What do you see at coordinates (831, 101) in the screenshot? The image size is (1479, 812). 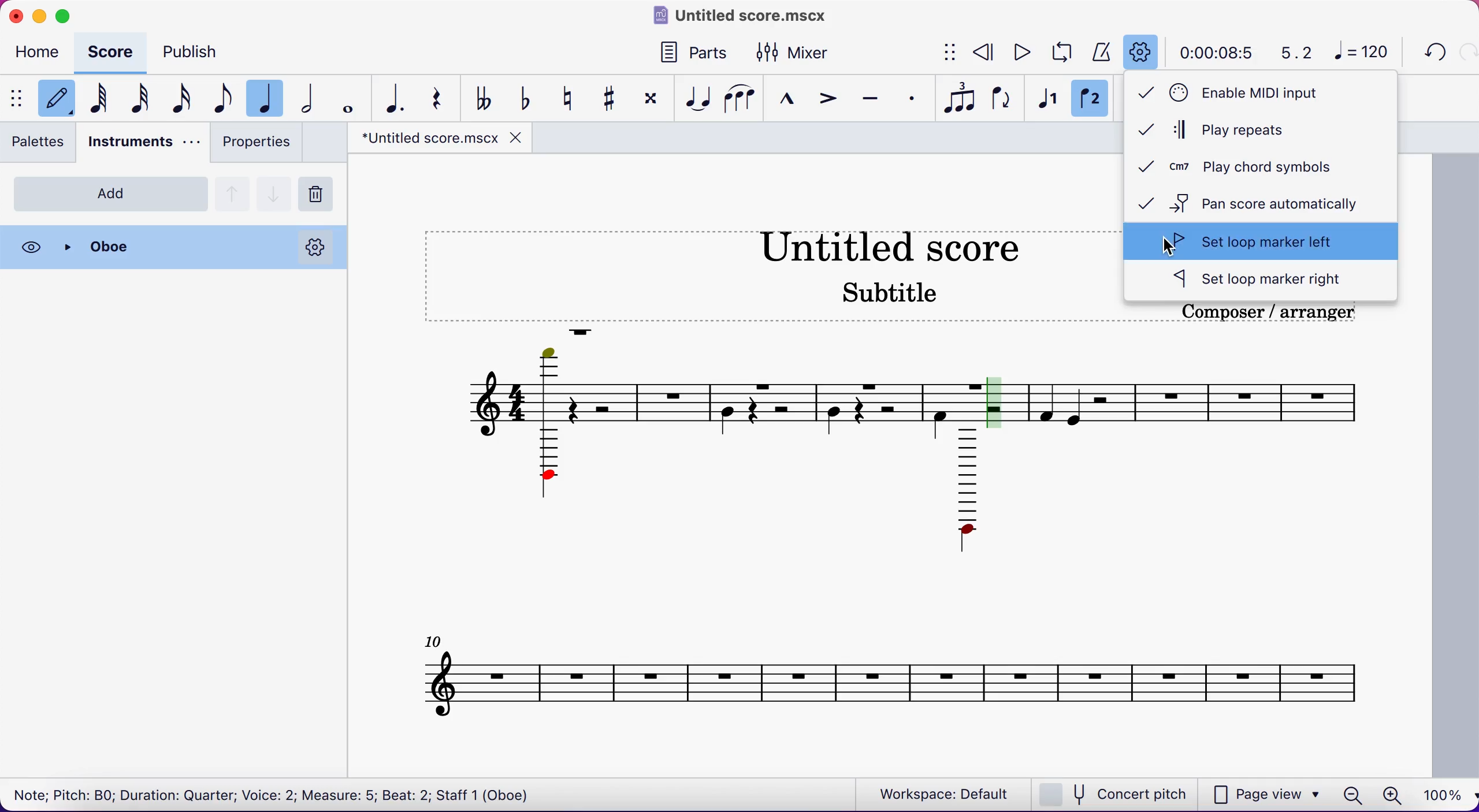 I see `accent` at bounding box center [831, 101].